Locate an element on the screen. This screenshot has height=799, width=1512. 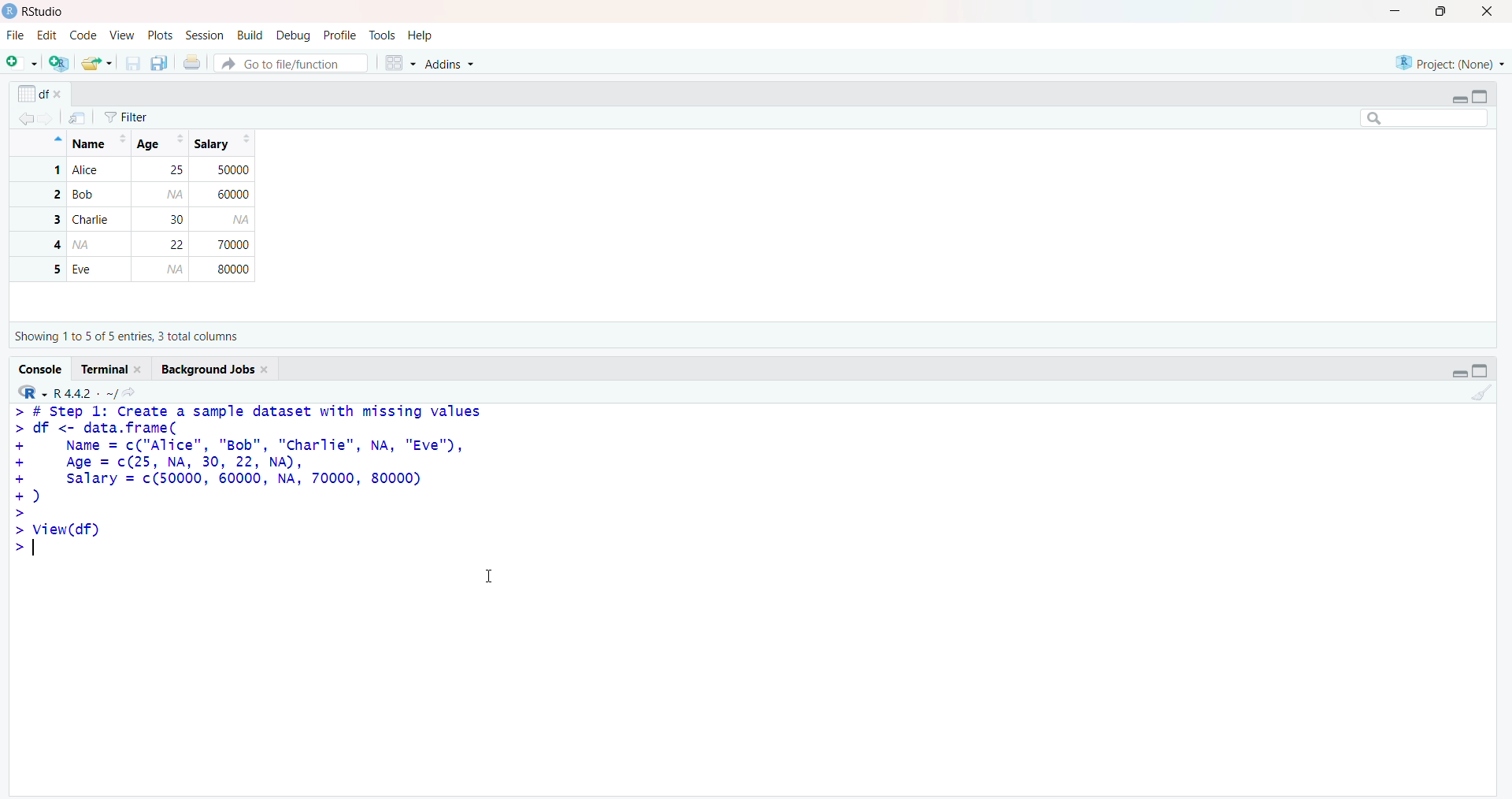
Minimize is located at coordinates (1462, 373).